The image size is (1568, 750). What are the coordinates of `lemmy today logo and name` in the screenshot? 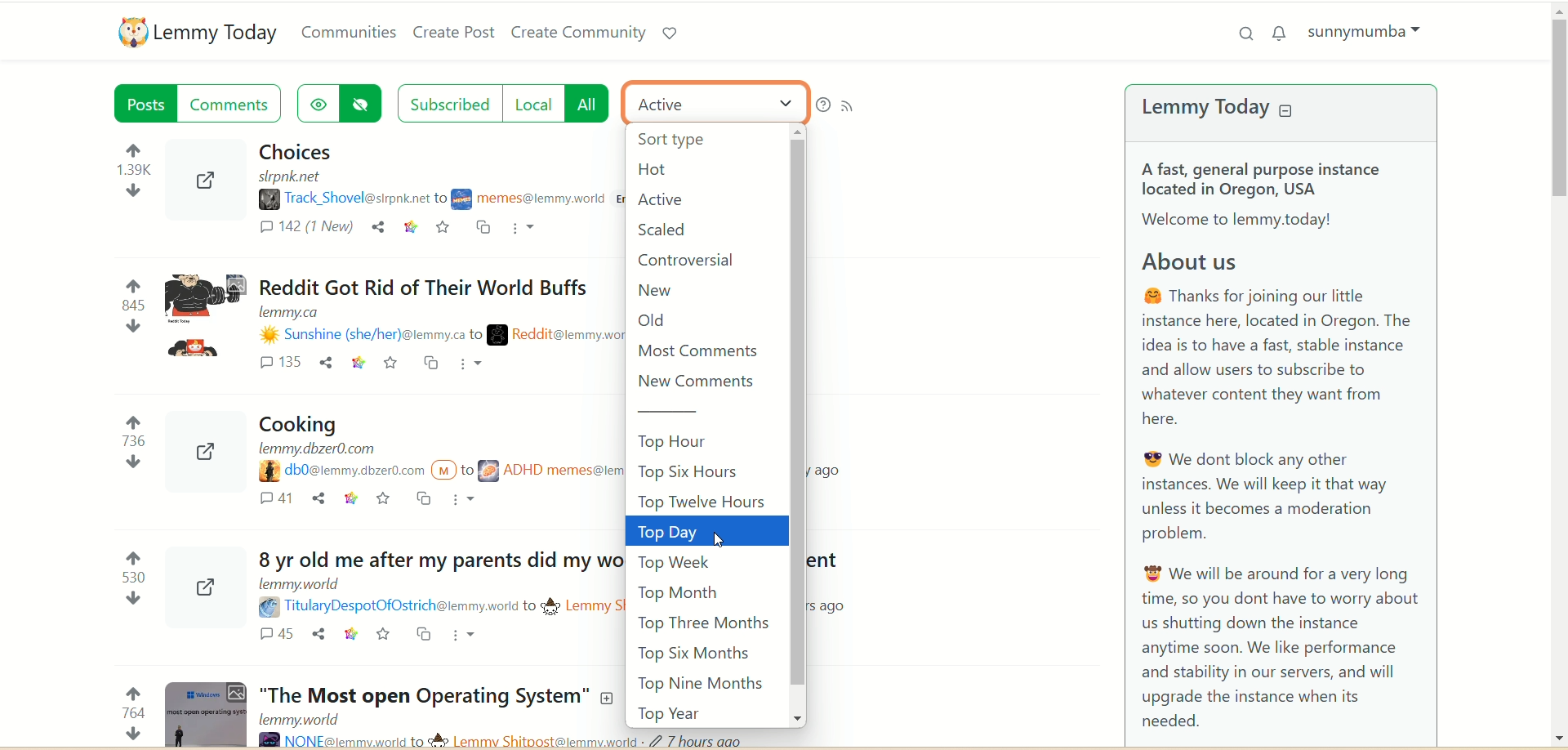 It's located at (199, 32).